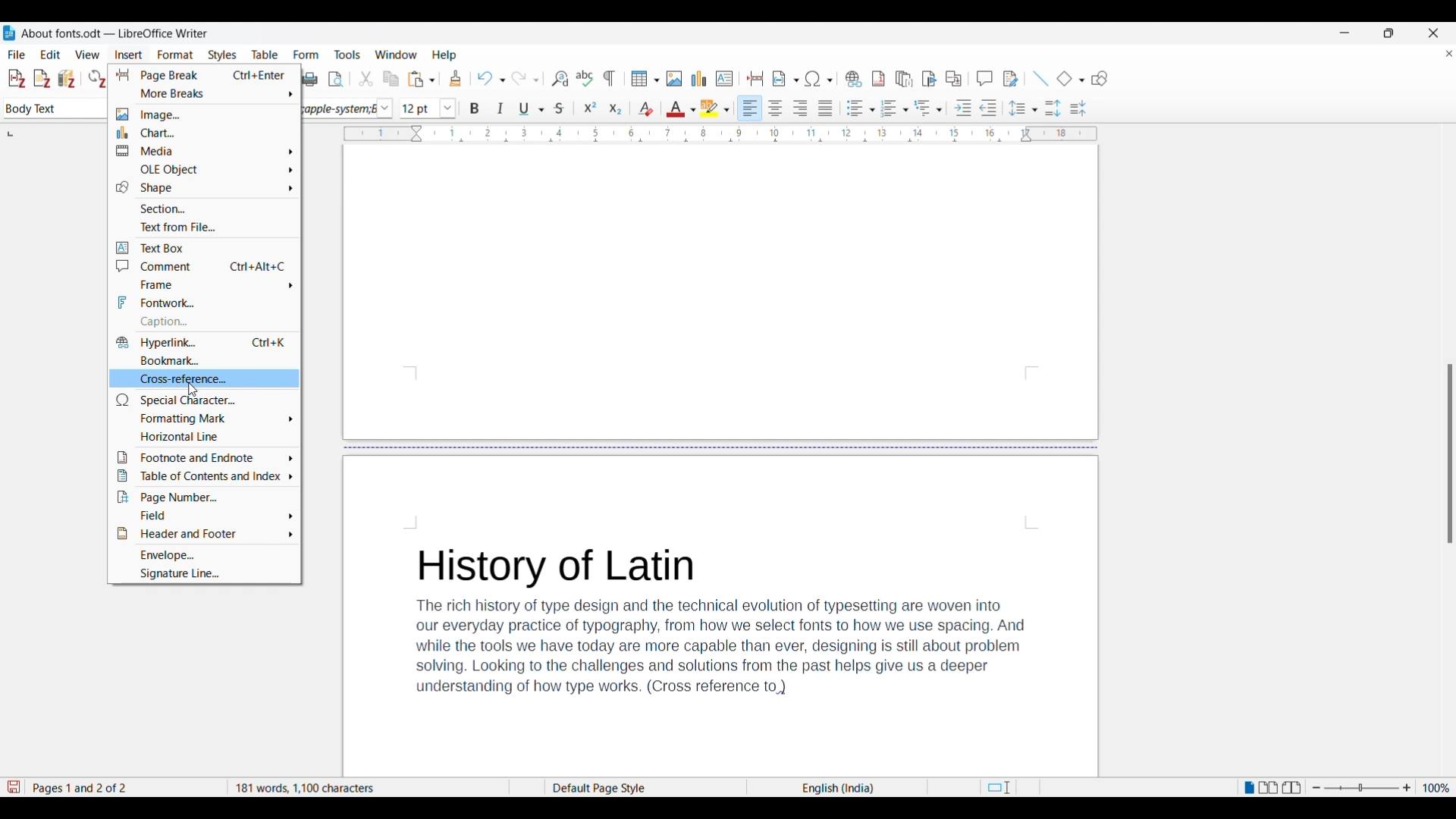 This screenshot has width=1456, height=819. Describe the element at coordinates (560, 78) in the screenshot. I see `Find and replace` at that location.